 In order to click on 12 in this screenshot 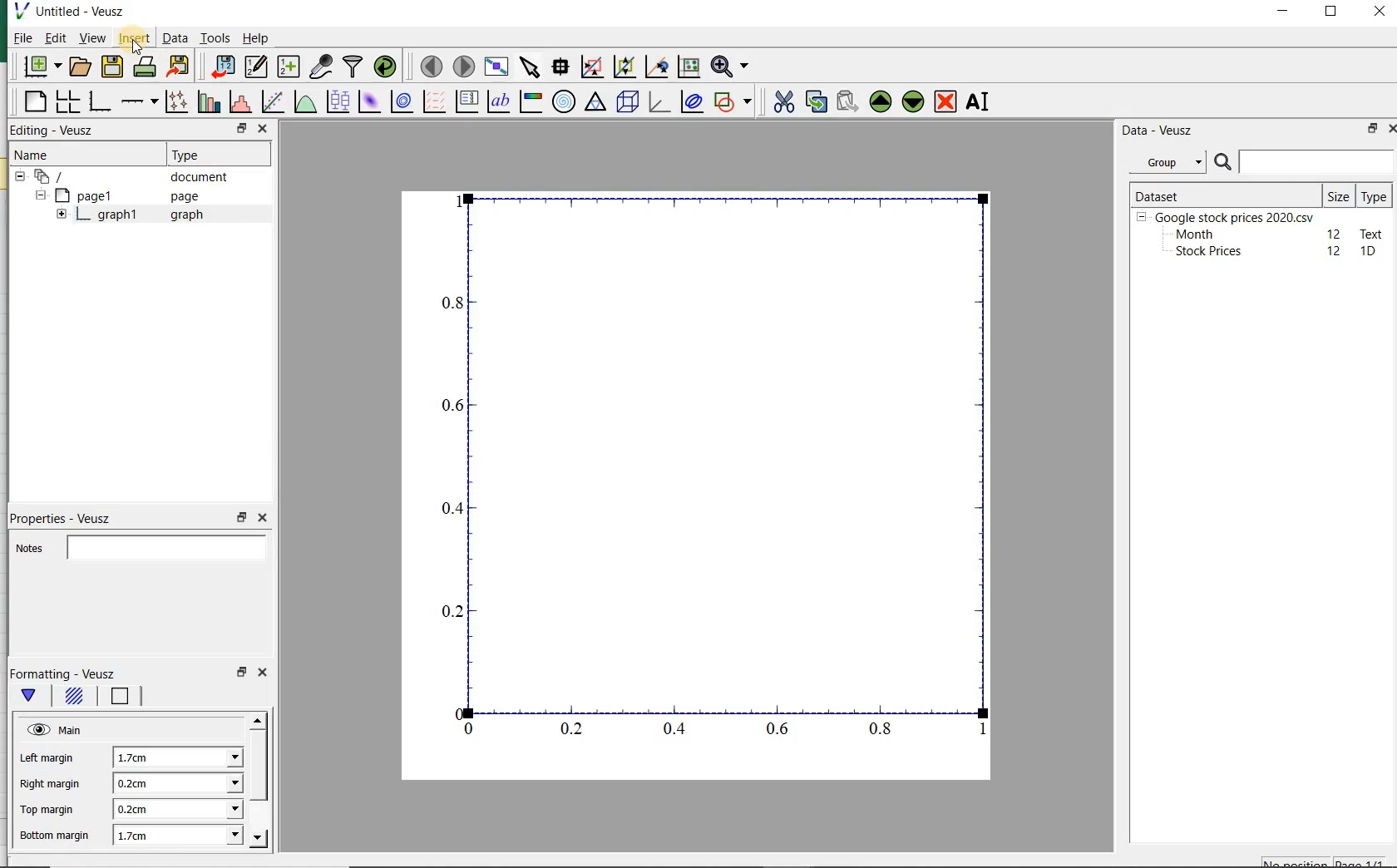, I will do `click(1335, 251)`.